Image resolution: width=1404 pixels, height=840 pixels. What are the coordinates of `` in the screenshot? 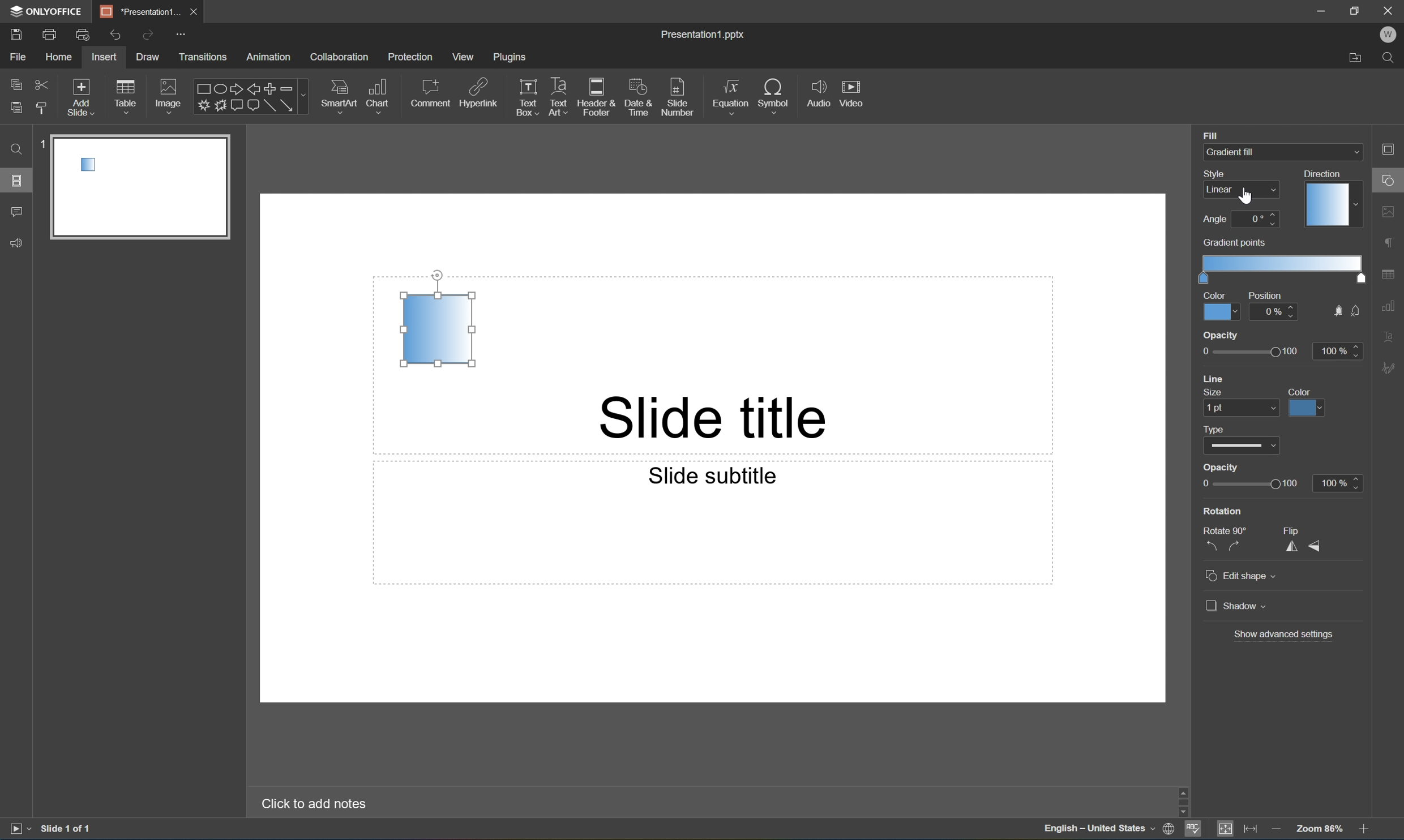 It's located at (202, 106).